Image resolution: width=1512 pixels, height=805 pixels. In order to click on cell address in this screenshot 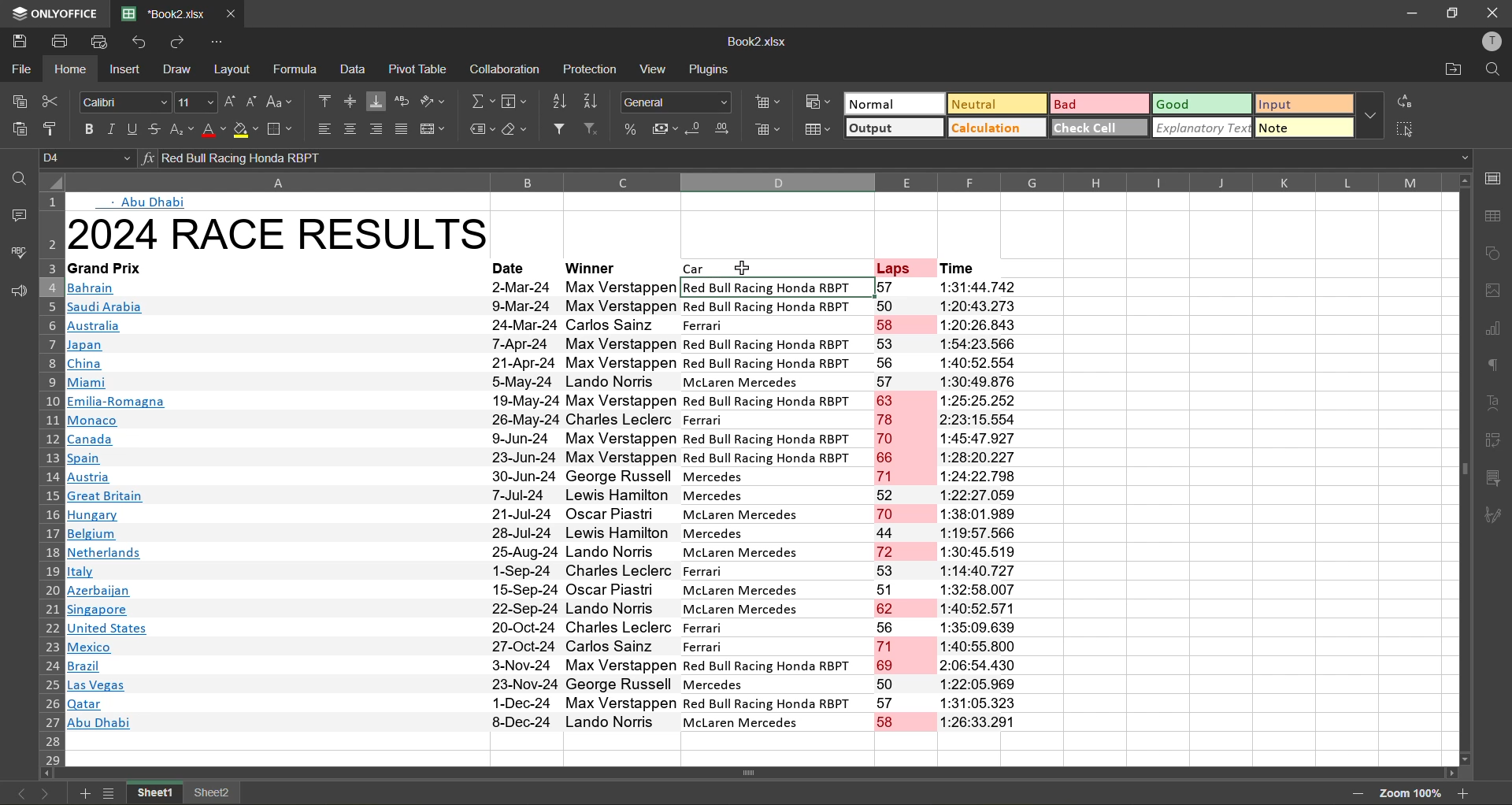, I will do `click(87, 158)`.